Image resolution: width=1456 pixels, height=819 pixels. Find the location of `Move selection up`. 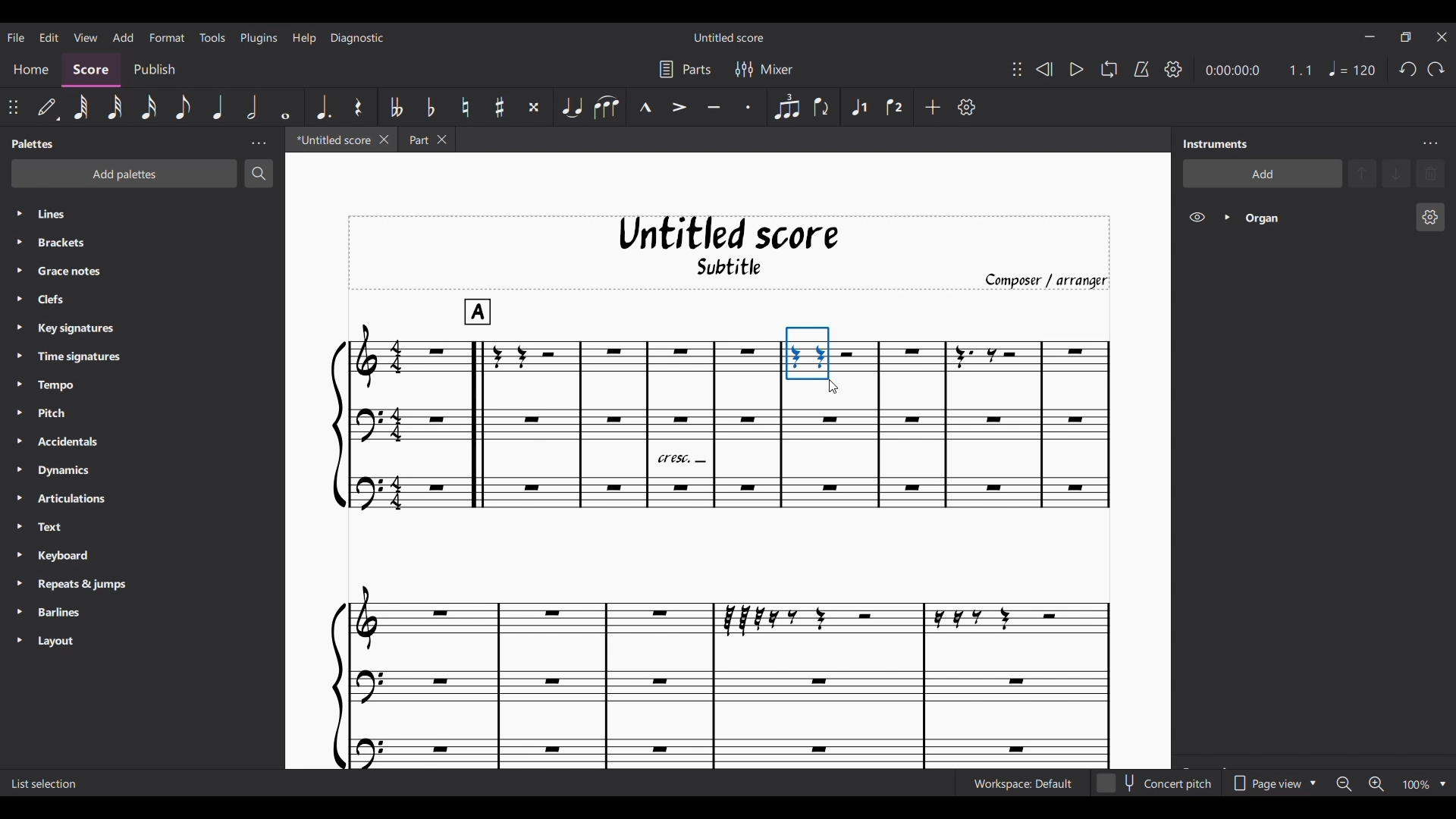

Move selection up is located at coordinates (1363, 173).